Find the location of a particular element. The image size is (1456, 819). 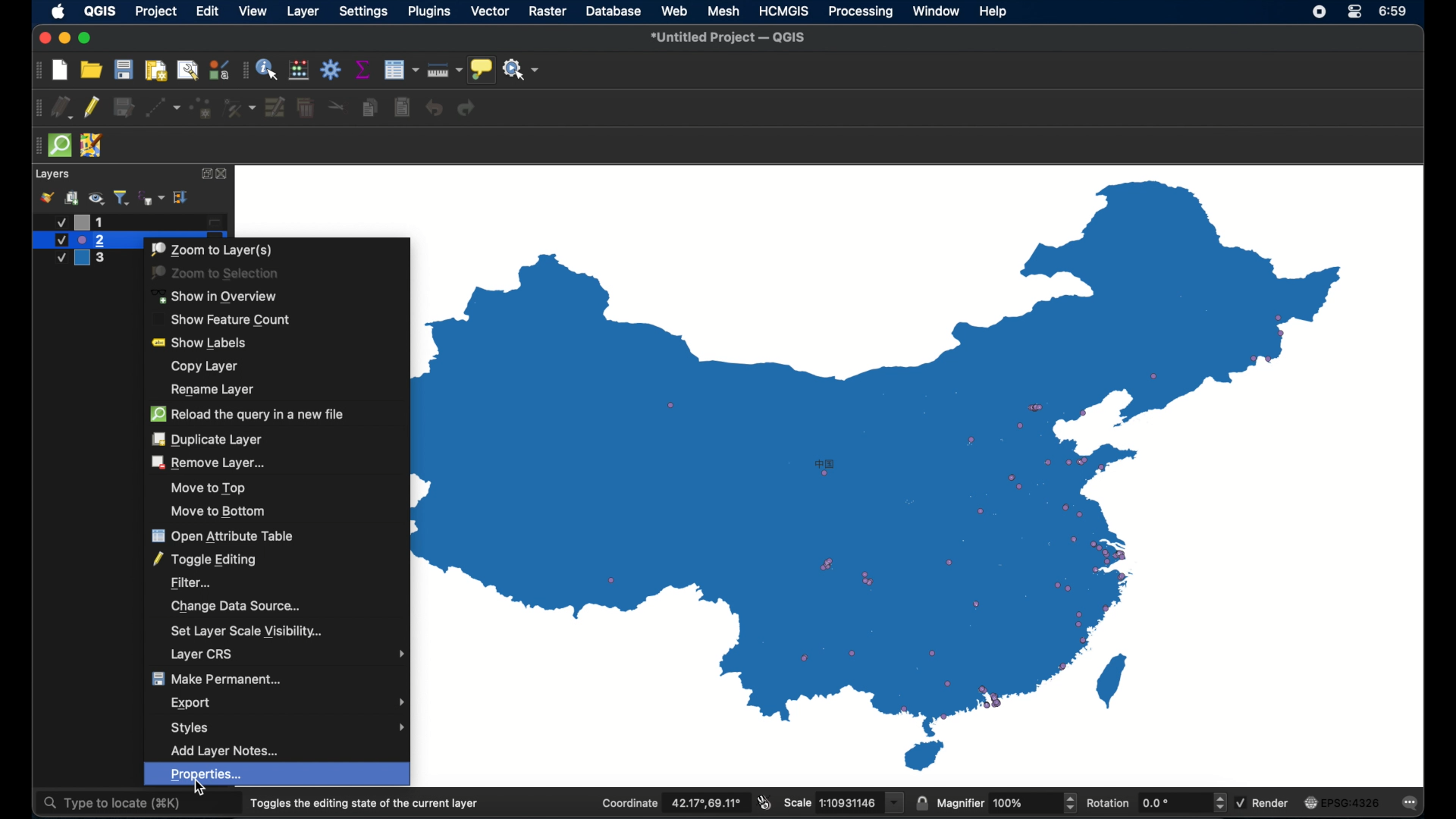

view is located at coordinates (254, 11).